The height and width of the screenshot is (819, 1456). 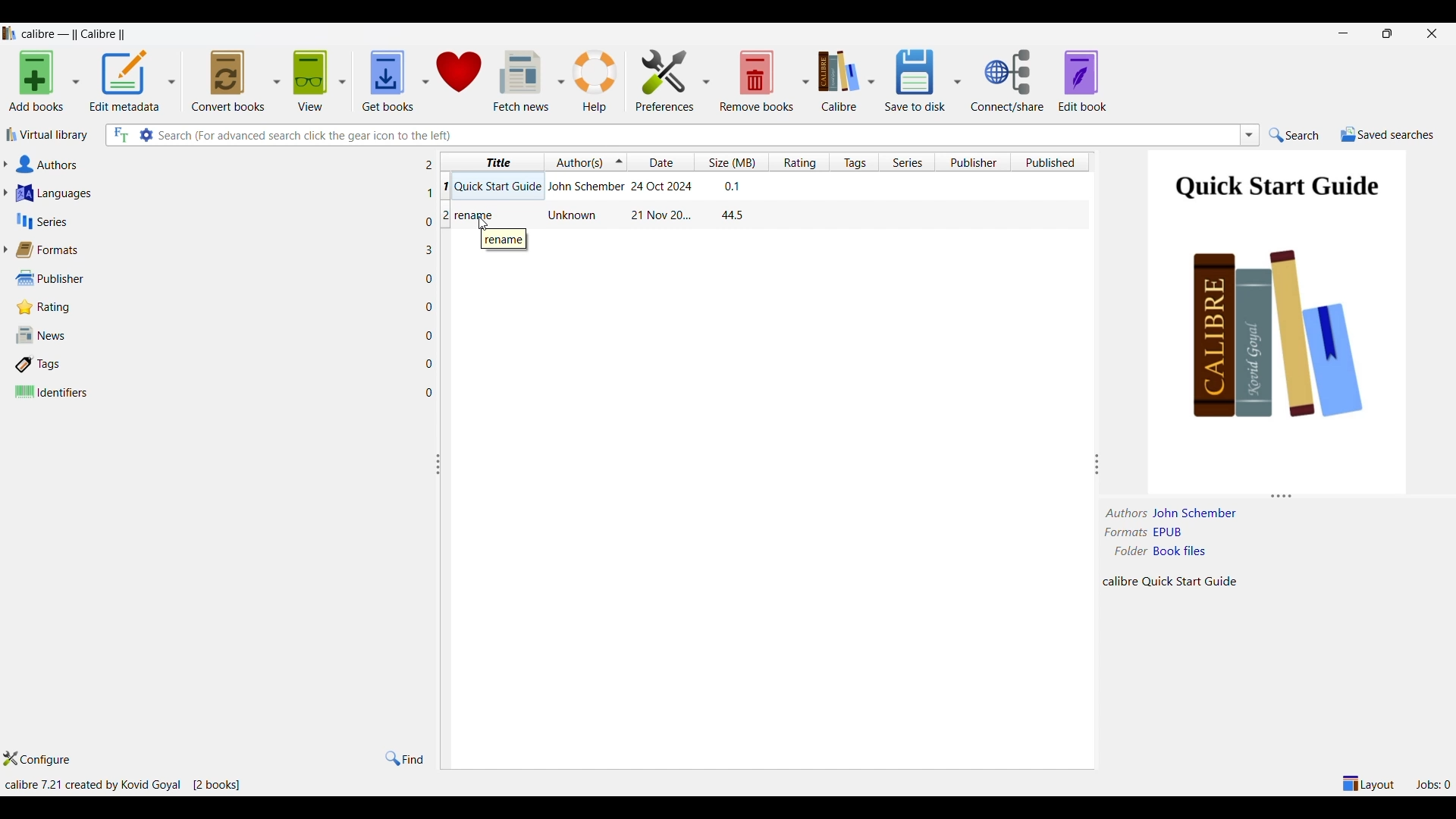 I want to click on Change height of panel attached to this line, so click(x=1263, y=497).